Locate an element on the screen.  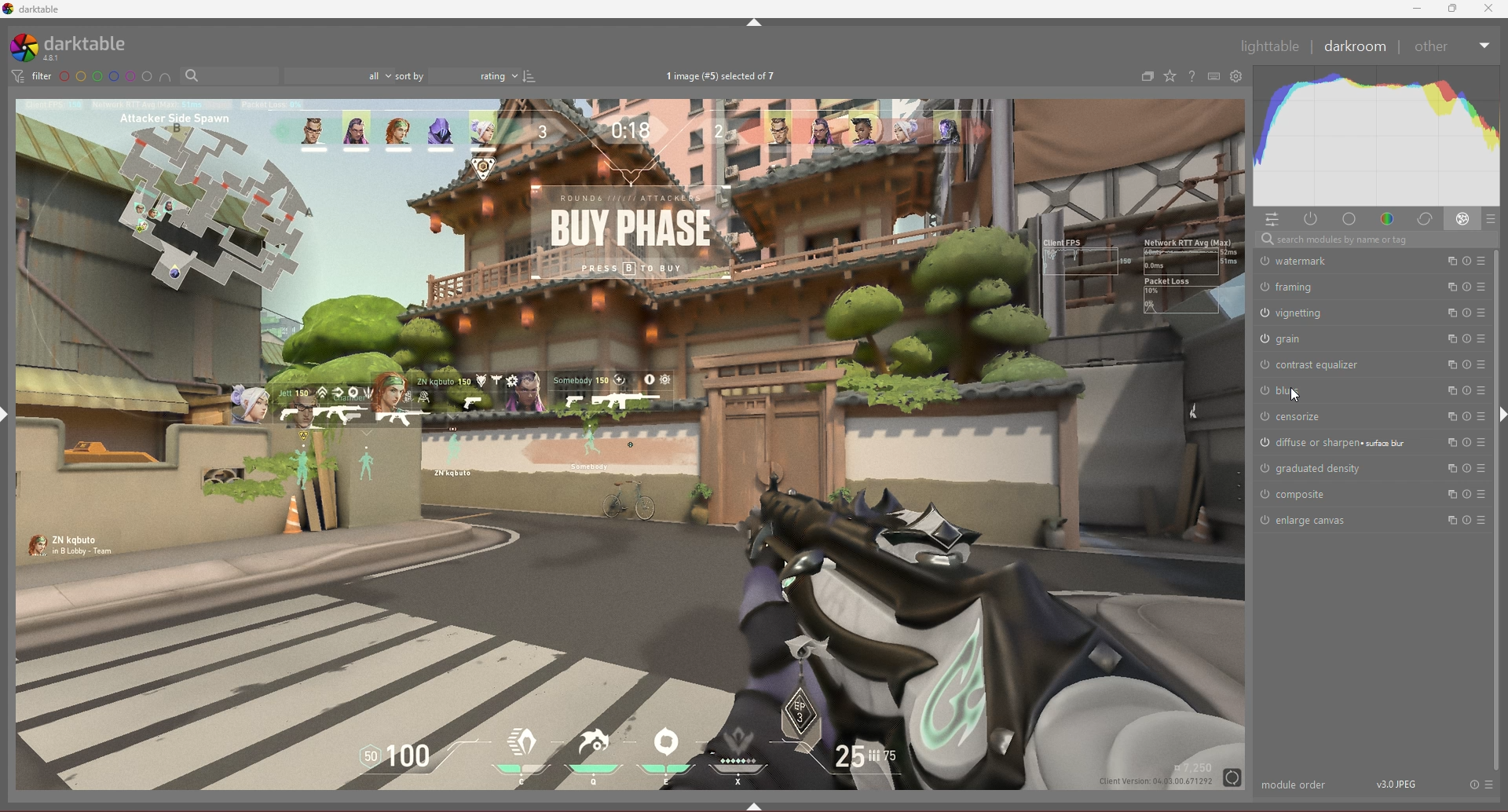
active modules is located at coordinates (1311, 219).